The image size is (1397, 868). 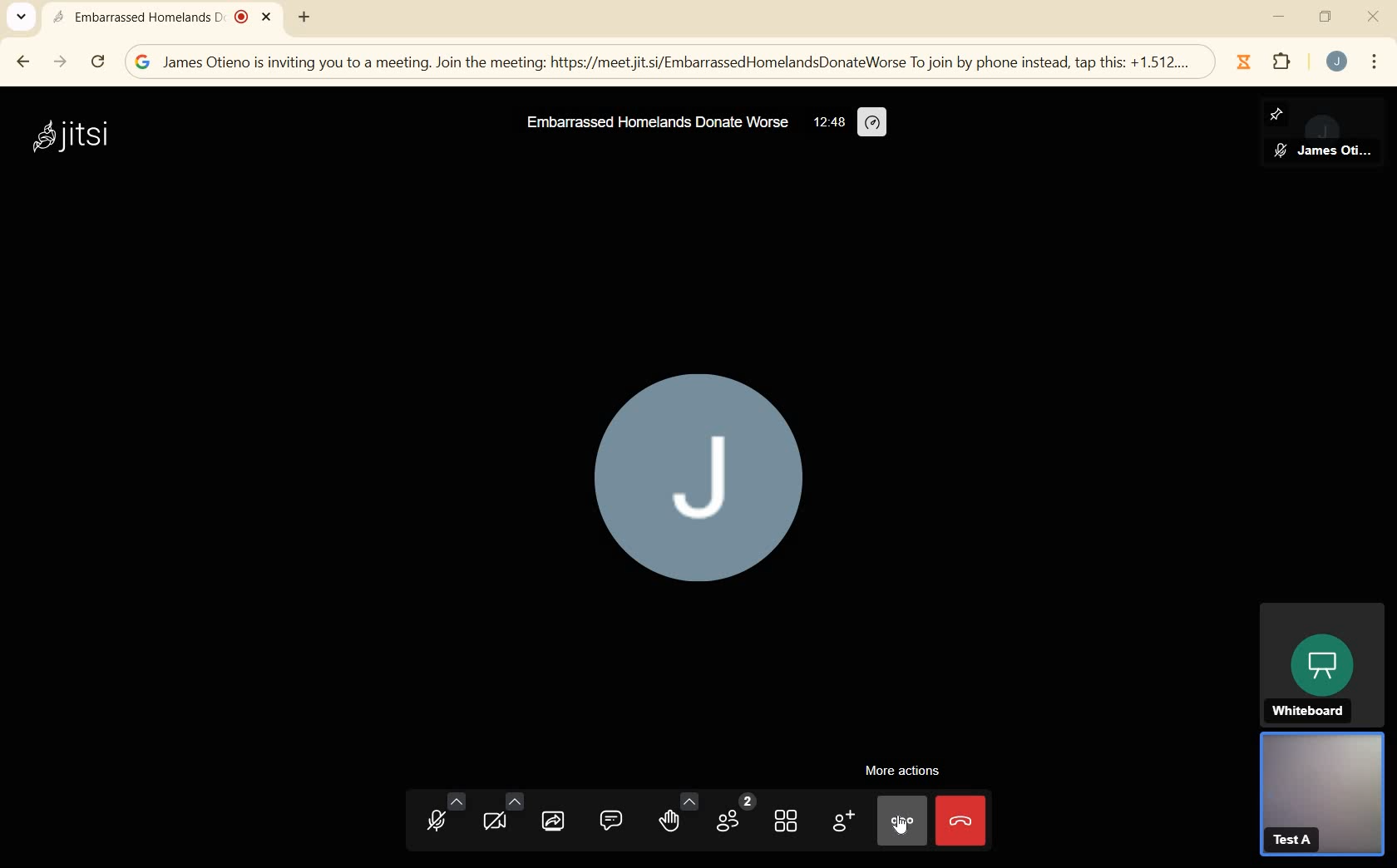 What do you see at coordinates (25, 60) in the screenshot?
I see `BACK` at bounding box center [25, 60].